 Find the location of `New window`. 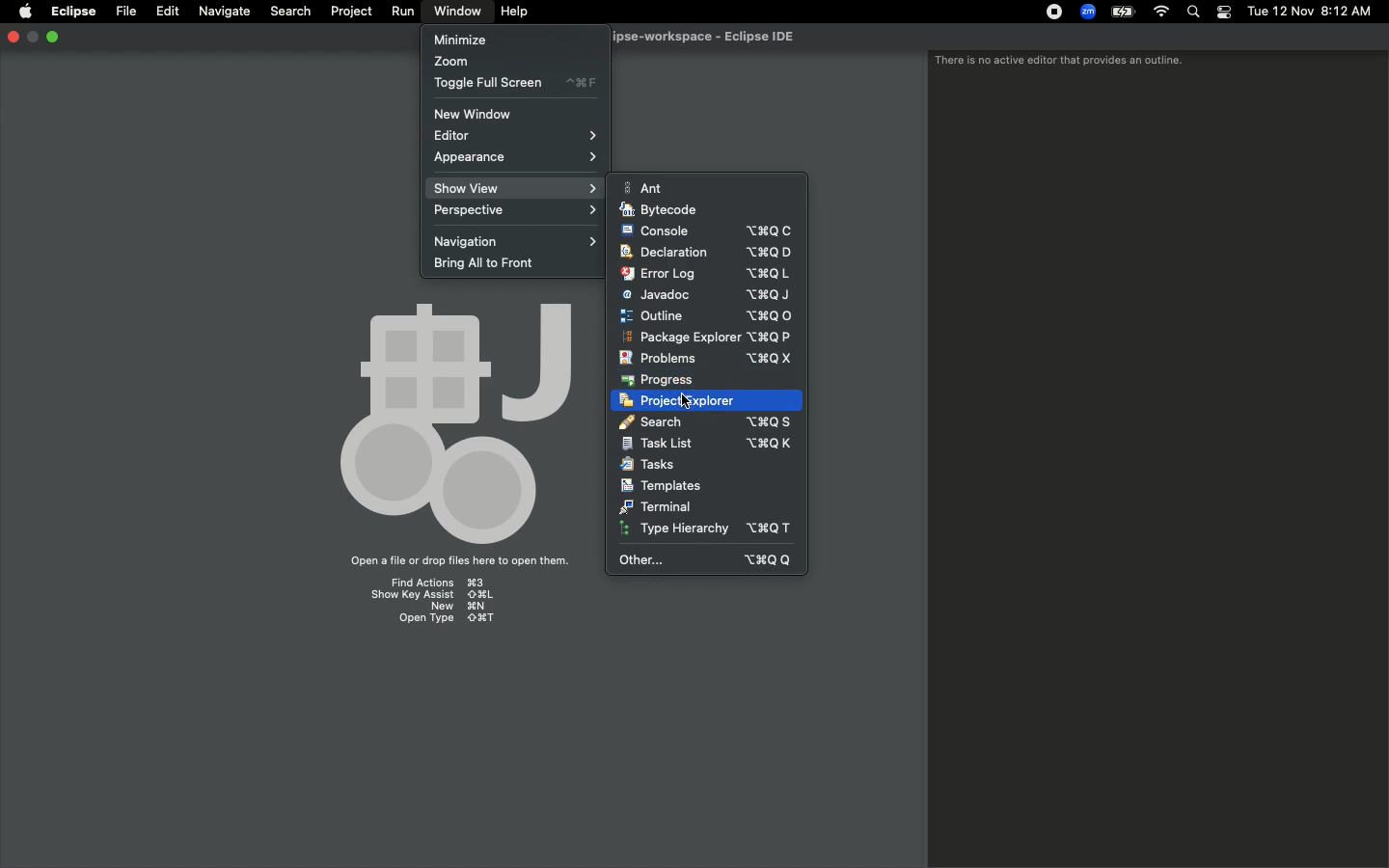

New window is located at coordinates (483, 114).